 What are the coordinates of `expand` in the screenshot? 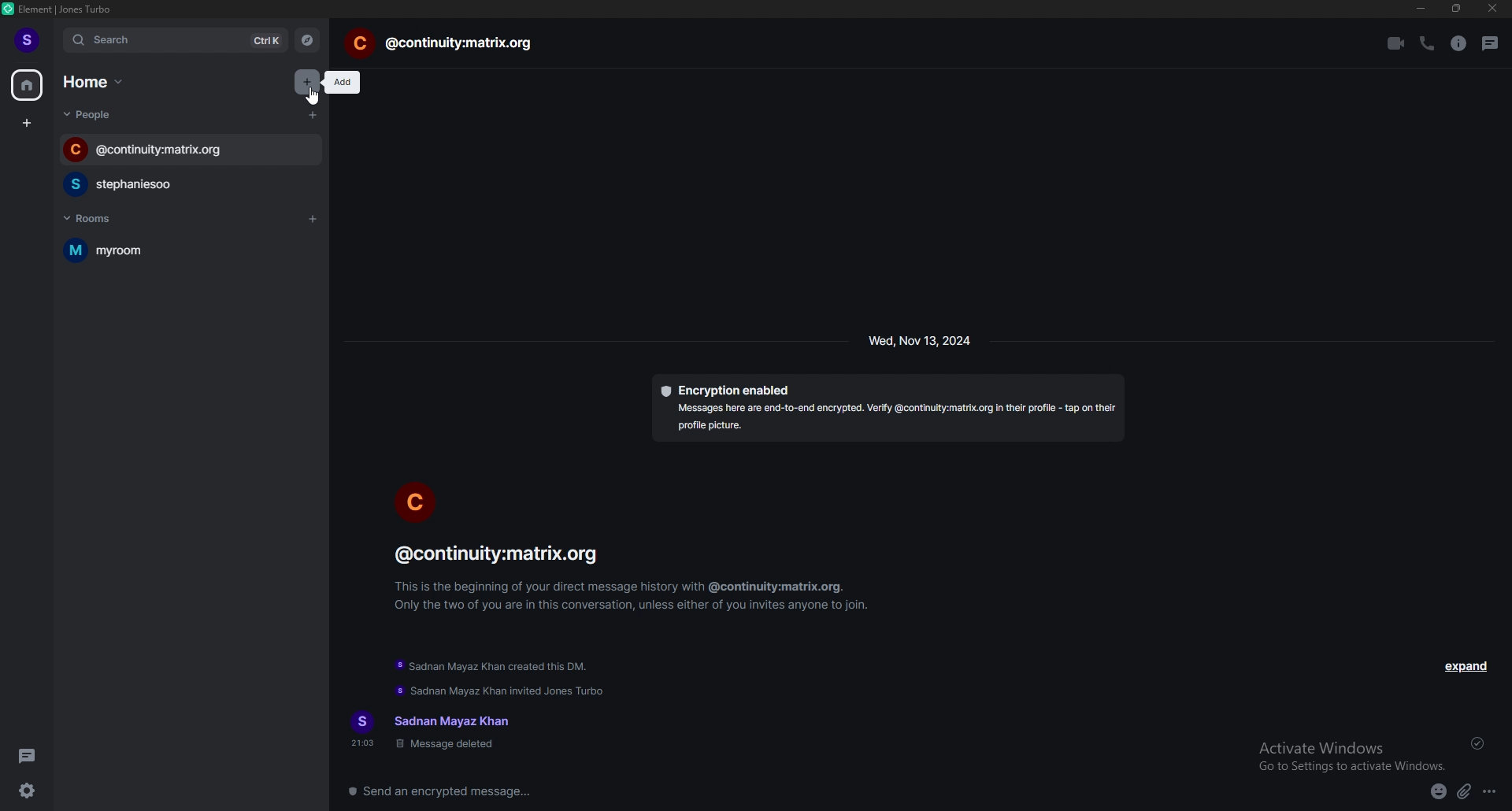 It's located at (1465, 666).